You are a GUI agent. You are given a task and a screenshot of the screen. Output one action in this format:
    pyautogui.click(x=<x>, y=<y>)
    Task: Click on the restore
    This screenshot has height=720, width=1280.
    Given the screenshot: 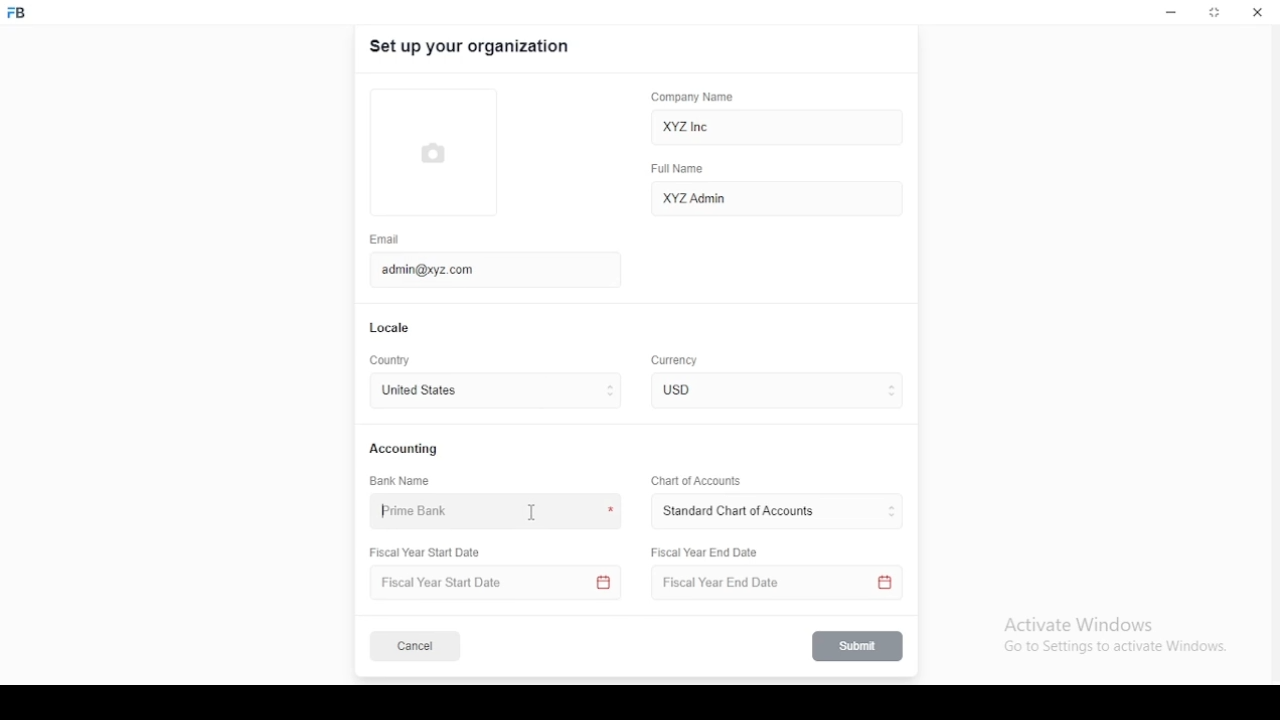 What is the action you would take?
    pyautogui.click(x=1216, y=14)
    